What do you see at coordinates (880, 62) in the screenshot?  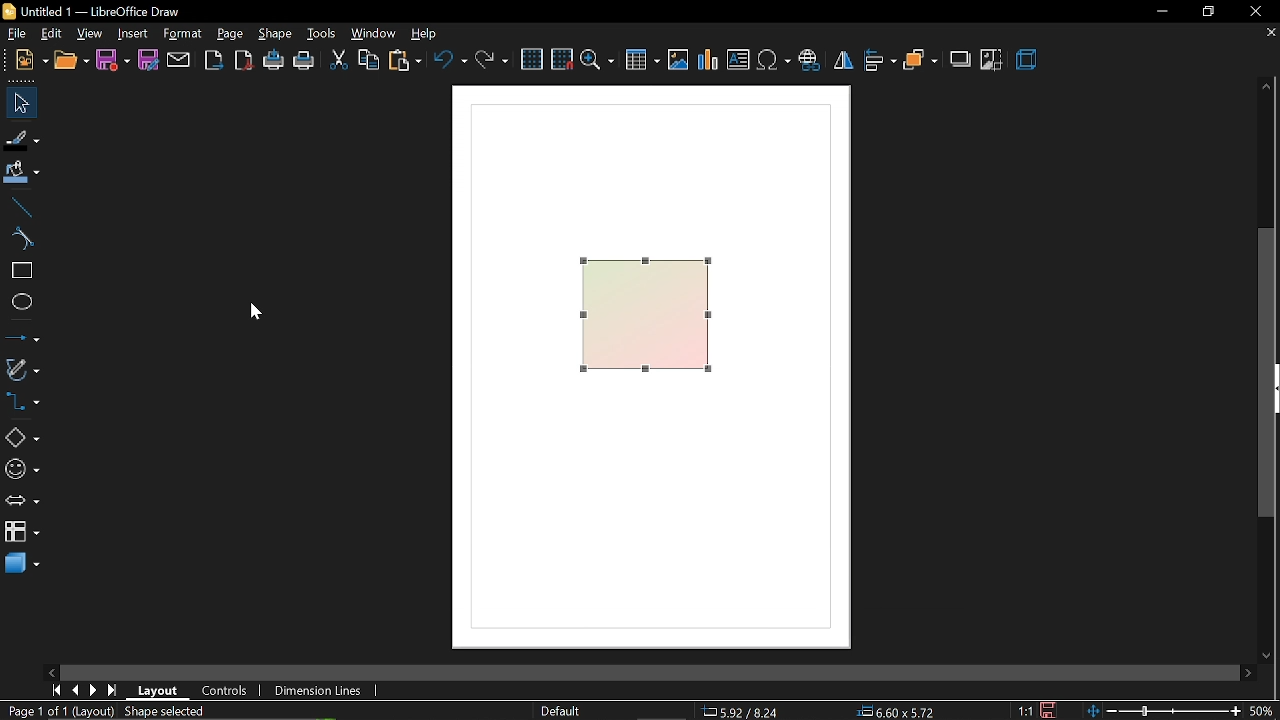 I see `align` at bounding box center [880, 62].